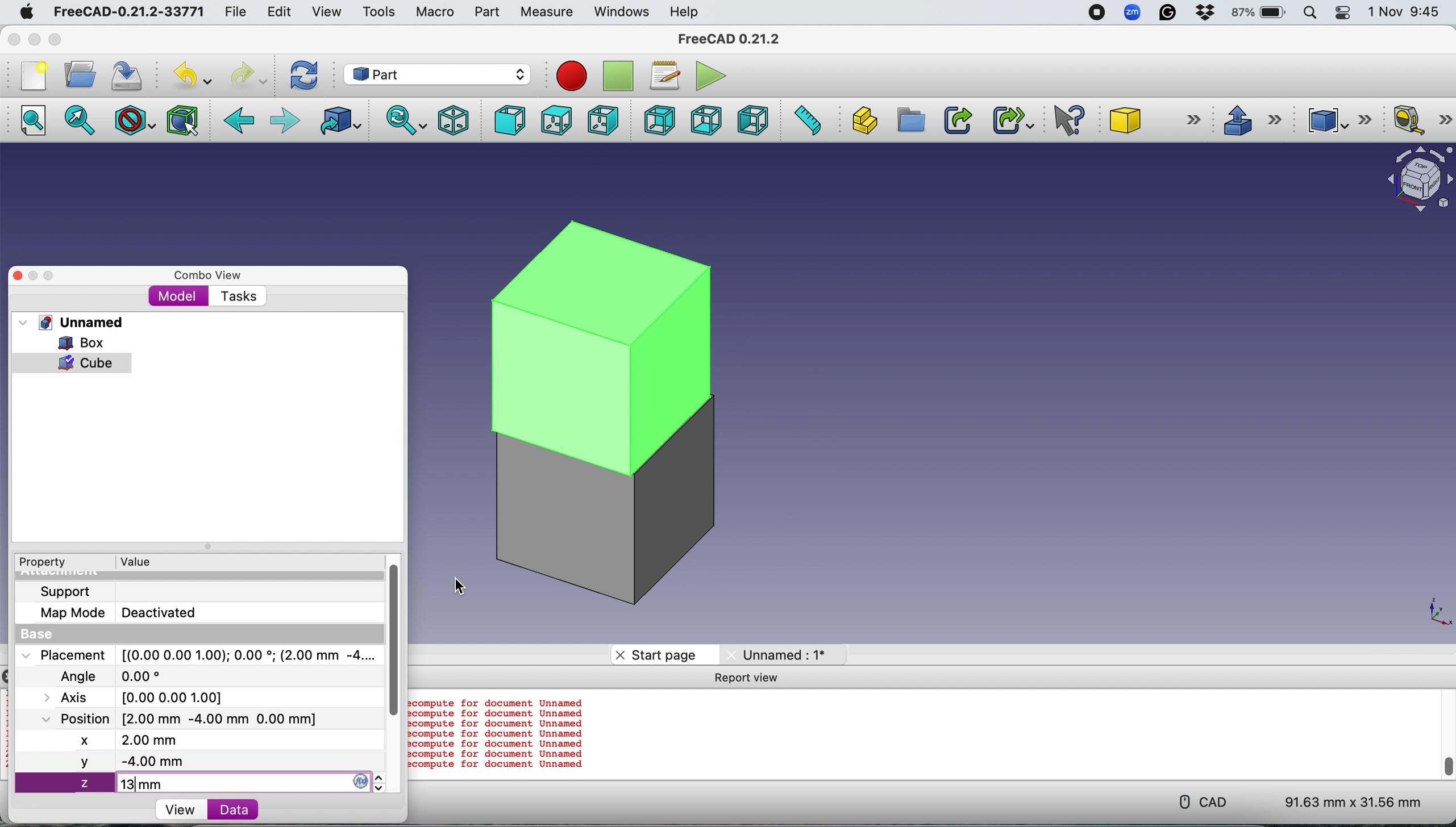 This screenshot has width=1456, height=827. I want to click on Tools, so click(378, 11).